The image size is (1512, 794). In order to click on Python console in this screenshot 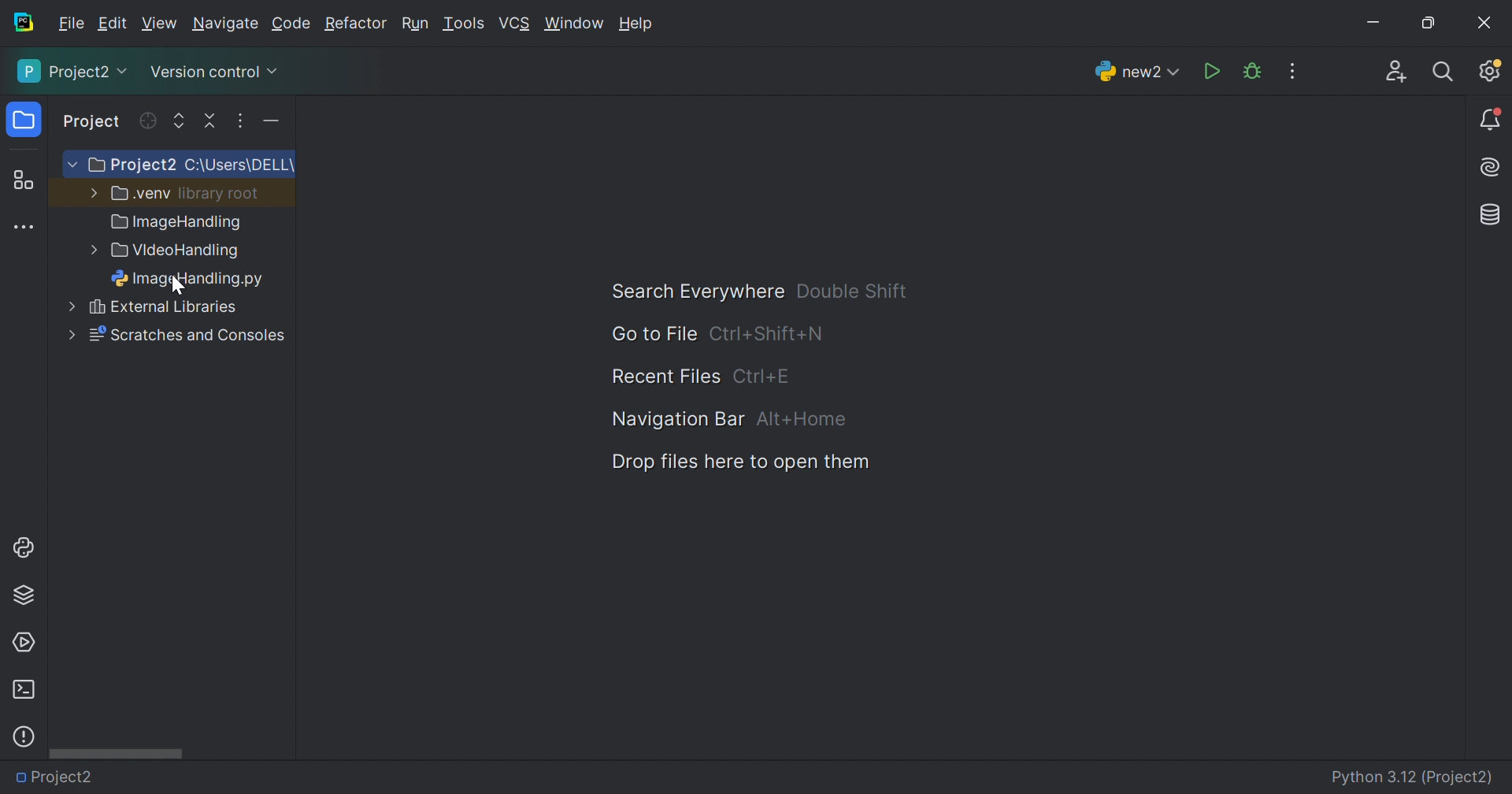, I will do `click(26, 547)`.